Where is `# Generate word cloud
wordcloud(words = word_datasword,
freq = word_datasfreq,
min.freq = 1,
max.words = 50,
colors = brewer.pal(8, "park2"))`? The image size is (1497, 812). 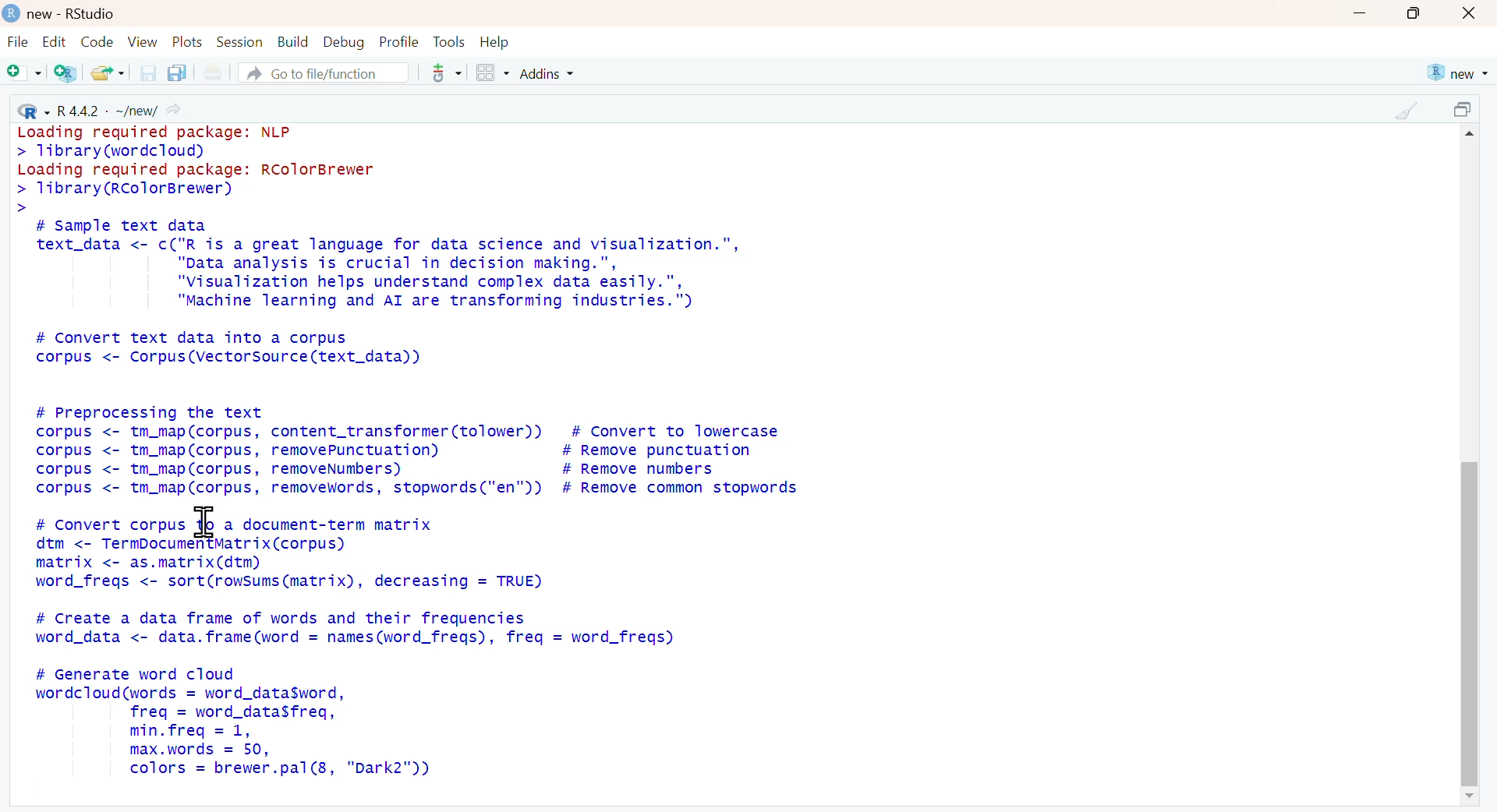
# Generate word cloud
wordcloud(words = word_datasword,
freq = word_datasfreq,
min.freq = 1,
max.words = 50,
colors = brewer.pal(8, "park2")) is located at coordinates (232, 722).